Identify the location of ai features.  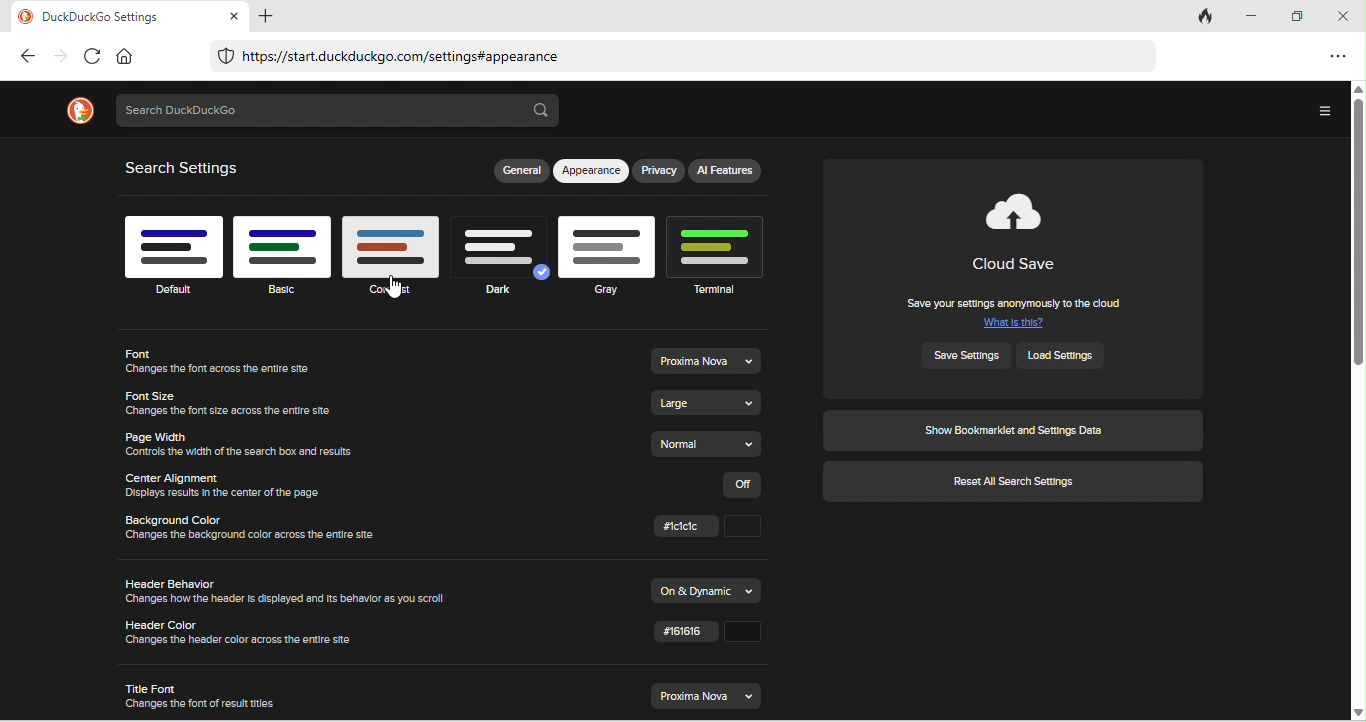
(727, 170).